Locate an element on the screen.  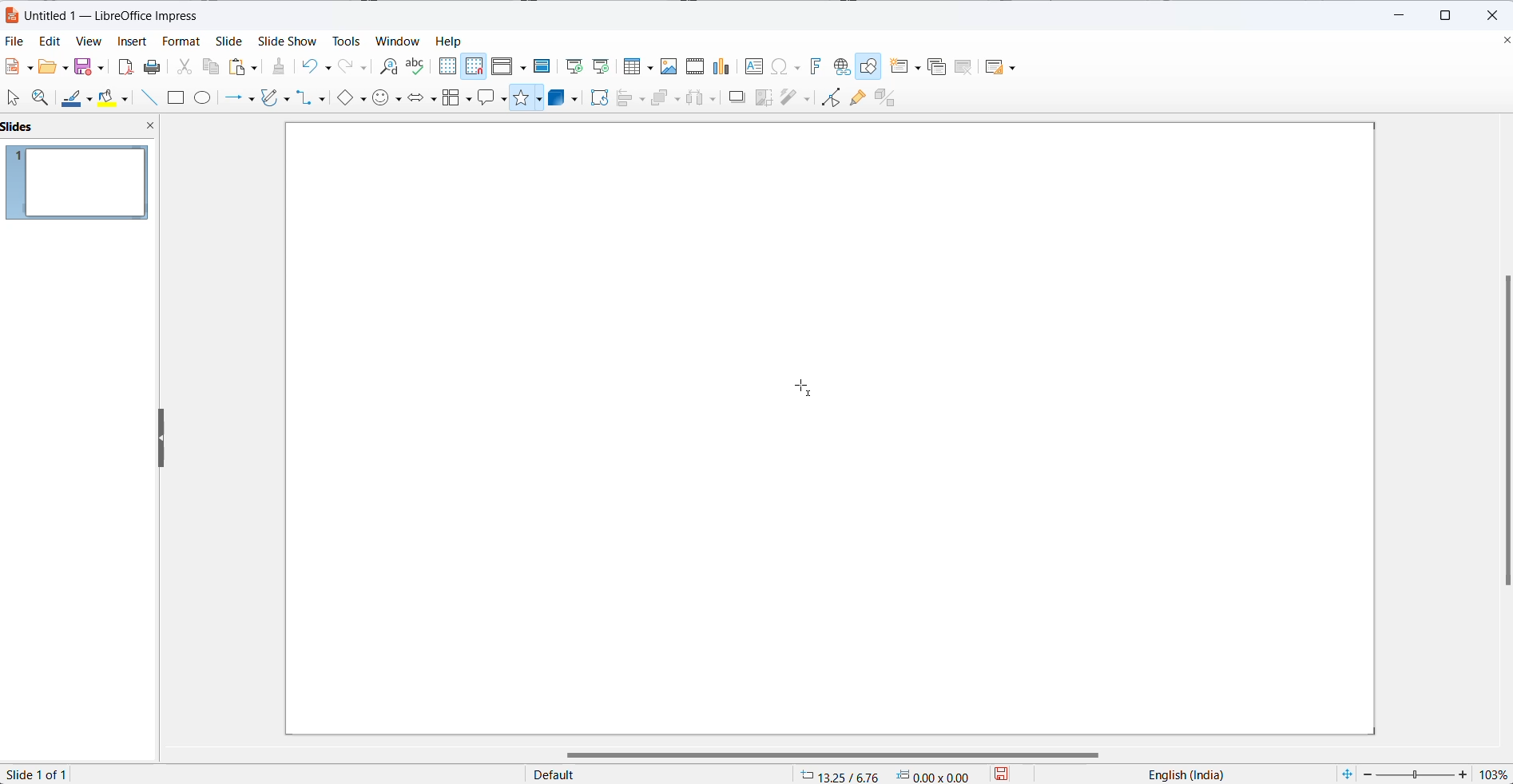
window is located at coordinates (398, 42).